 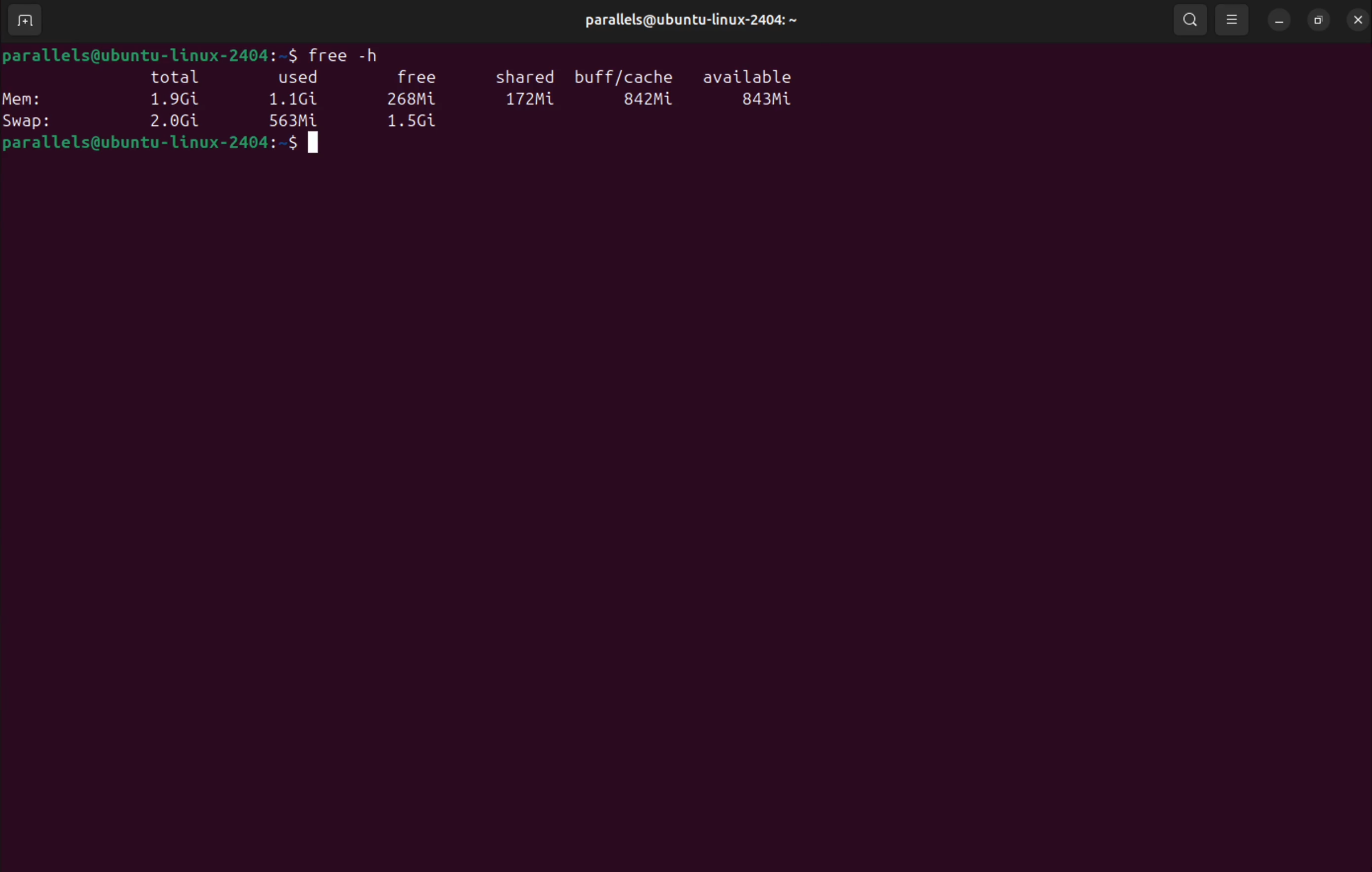 What do you see at coordinates (1316, 20) in the screenshot?
I see `resize` at bounding box center [1316, 20].